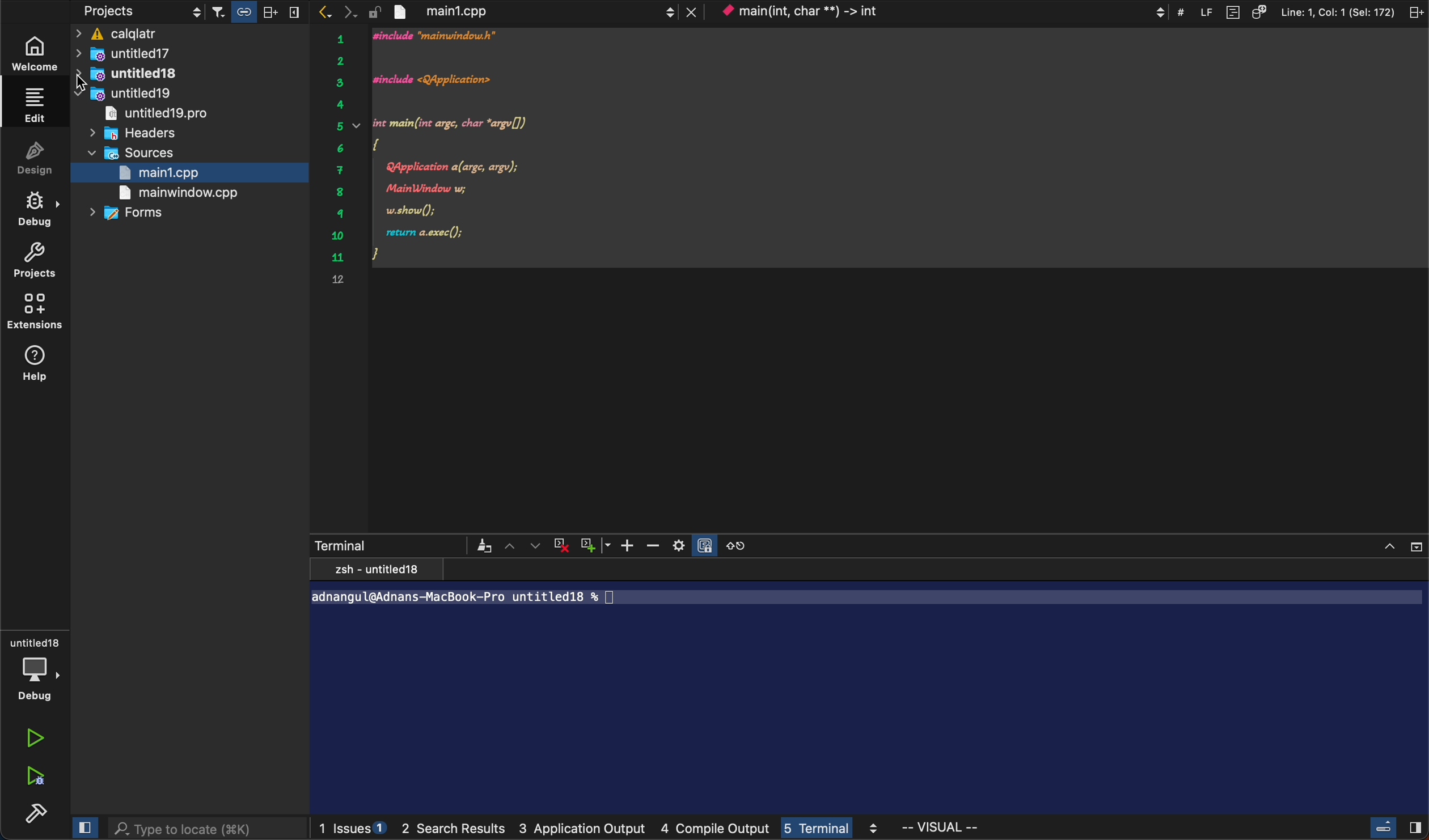 The width and height of the screenshot is (1429, 840). Describe the element at coordinates (158, 53) in the screenshot. I see `untitled17` at that location.